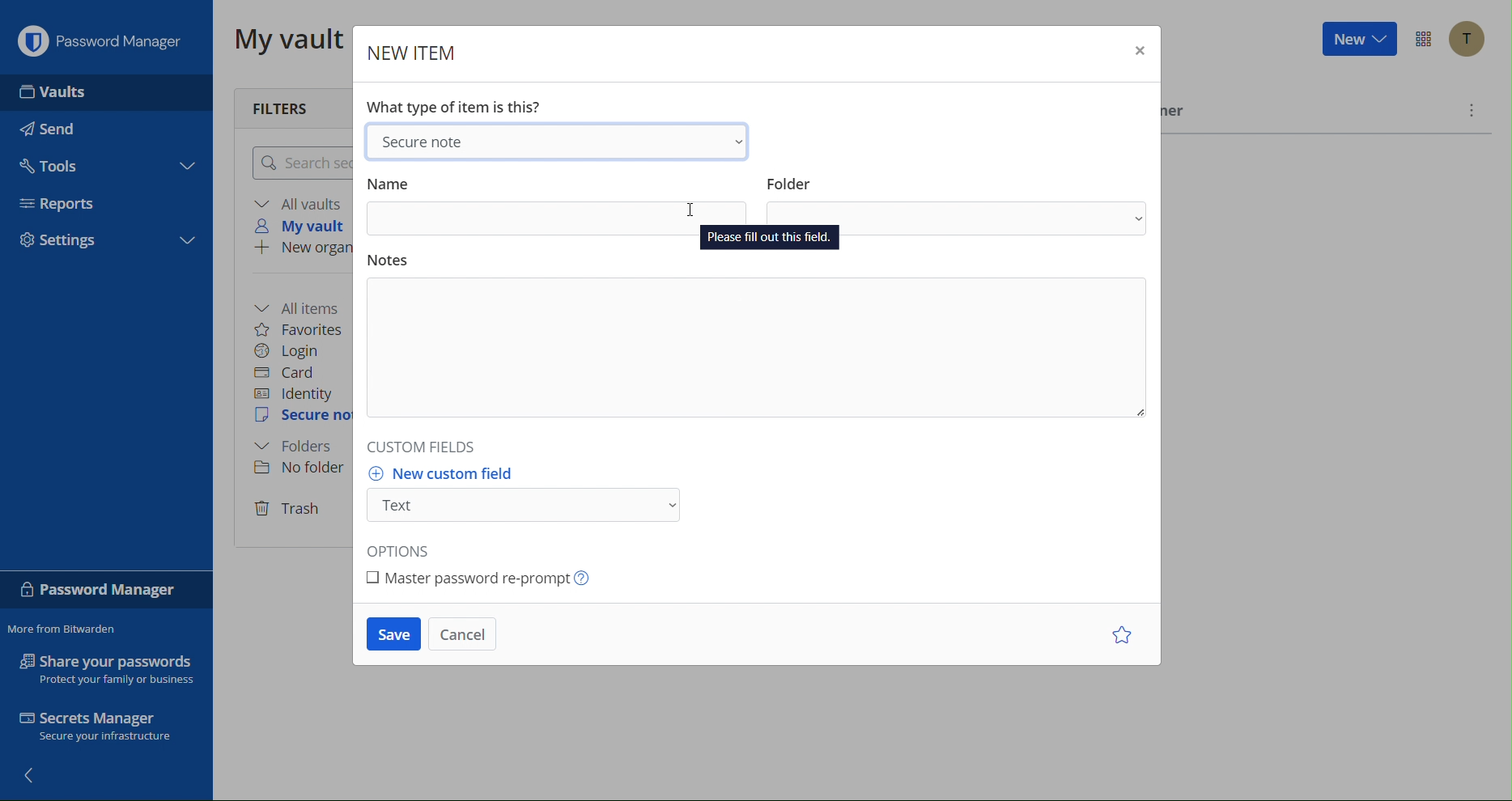 This screenshot has height=801, width=1512. Describe the element at coordinates (68, 629) in the screenshot. I see `More from Bitwarden` at that location.